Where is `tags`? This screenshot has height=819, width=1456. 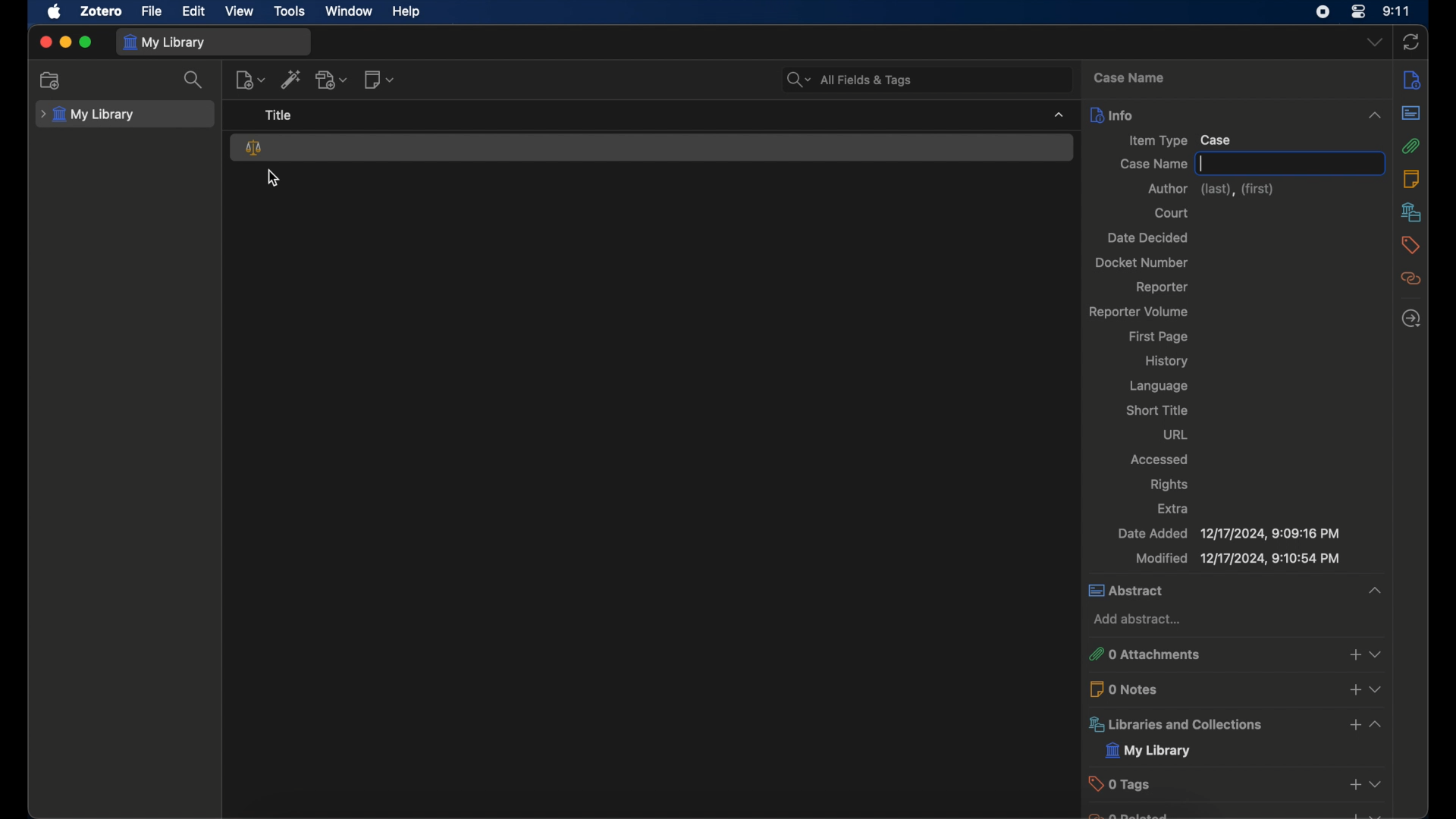
tags is located at coordinates (1237, 783).